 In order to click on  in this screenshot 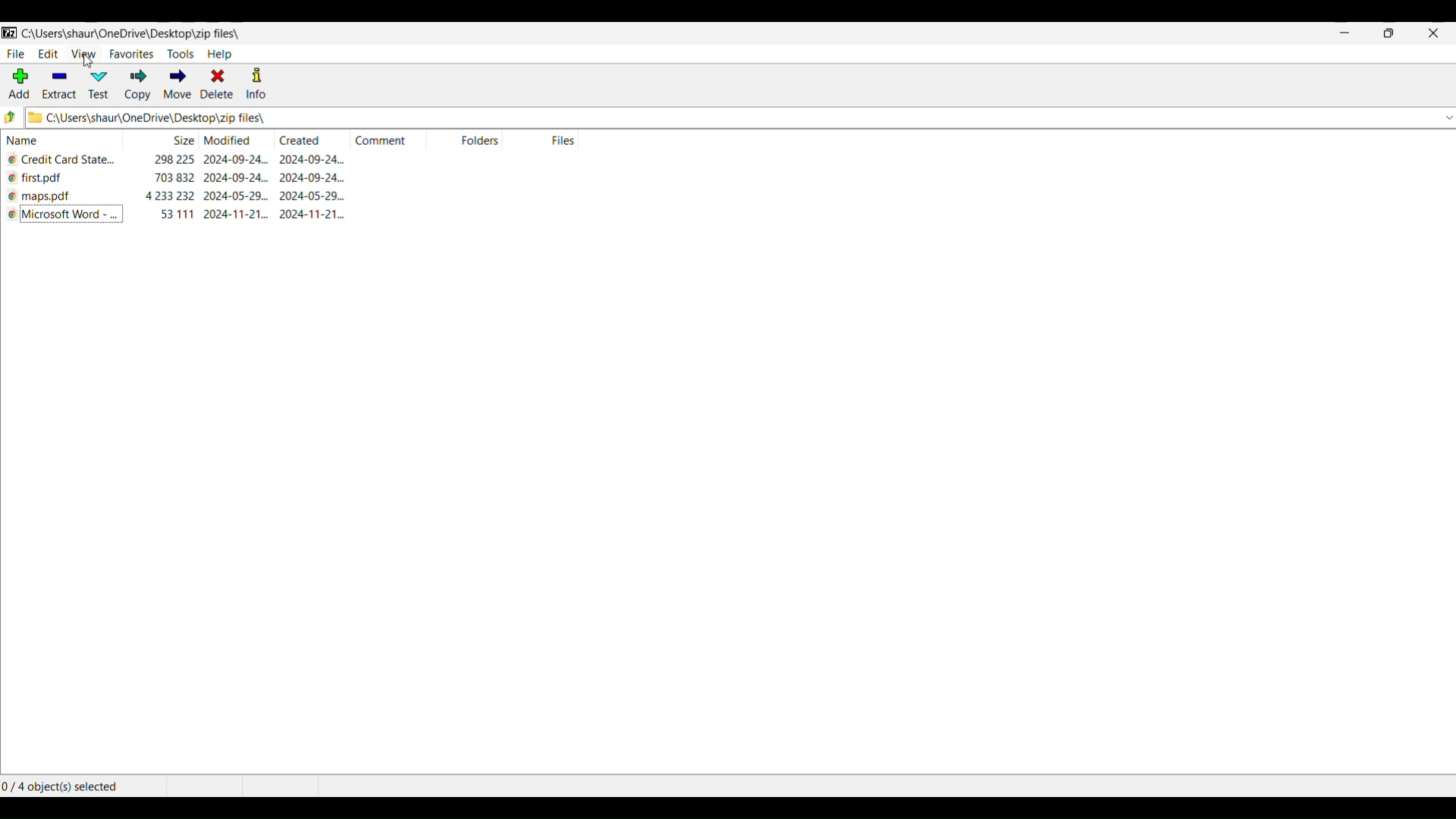, I will do `click(234, 141)`.